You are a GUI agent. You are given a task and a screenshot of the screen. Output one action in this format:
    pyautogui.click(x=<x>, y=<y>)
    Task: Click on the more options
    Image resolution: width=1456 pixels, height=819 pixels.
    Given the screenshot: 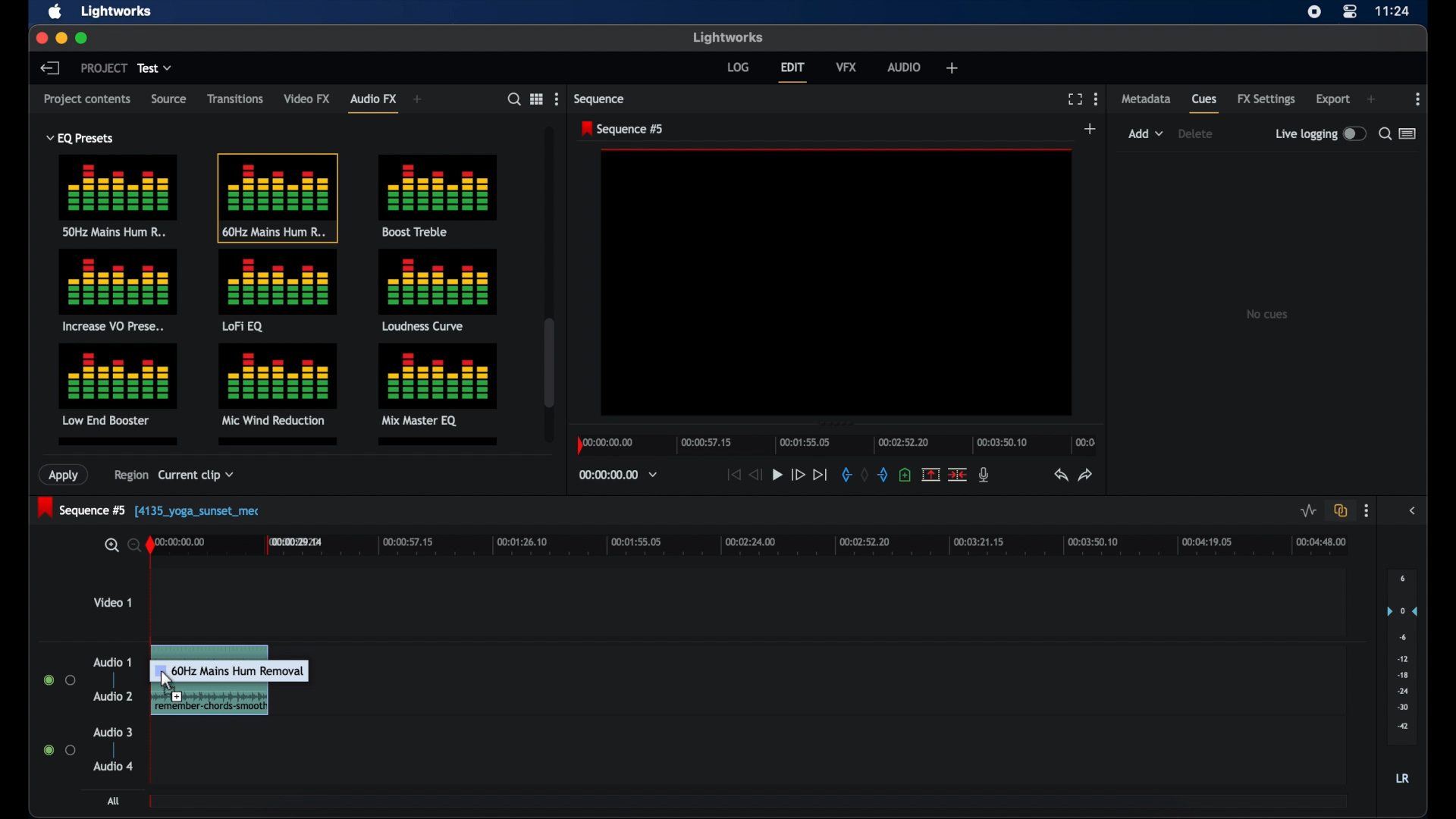 What is the action you would take?
    pyautogui.click(x=1418, y=99)
    